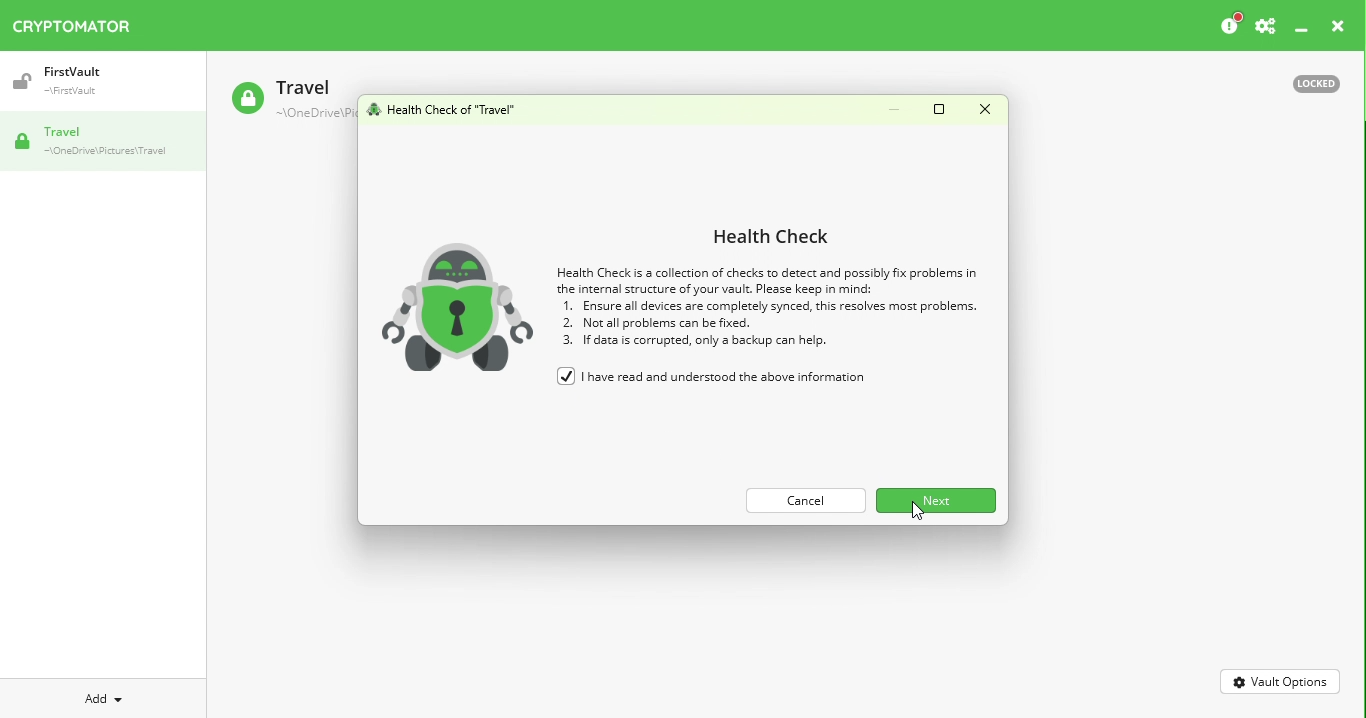 The height and width of the screenshot is (718, 1366). Describe the element at coordinates (287, 104) in the screenshot. I see `Travel` at that location.